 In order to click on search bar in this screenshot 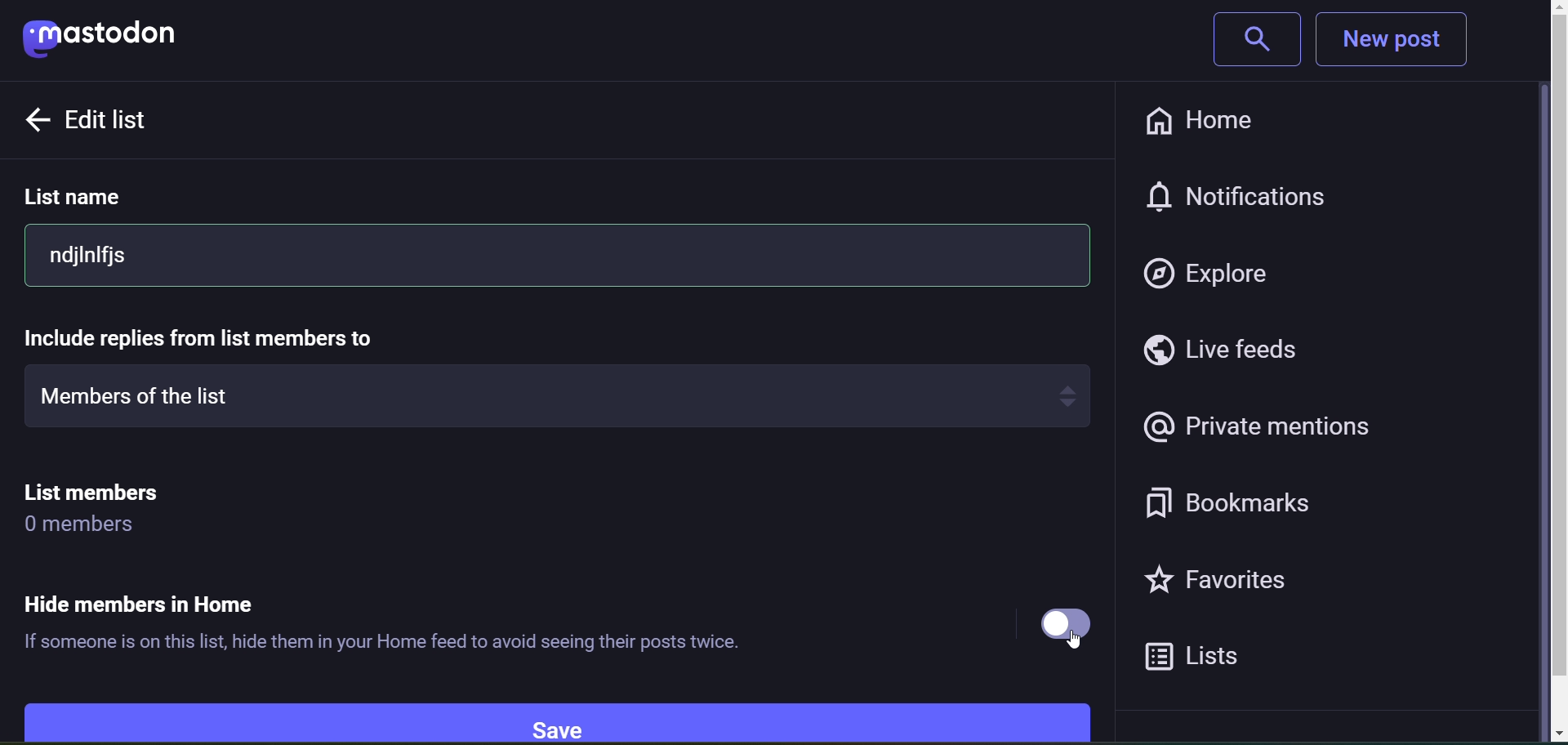, I will do `click(1248, 42)`.